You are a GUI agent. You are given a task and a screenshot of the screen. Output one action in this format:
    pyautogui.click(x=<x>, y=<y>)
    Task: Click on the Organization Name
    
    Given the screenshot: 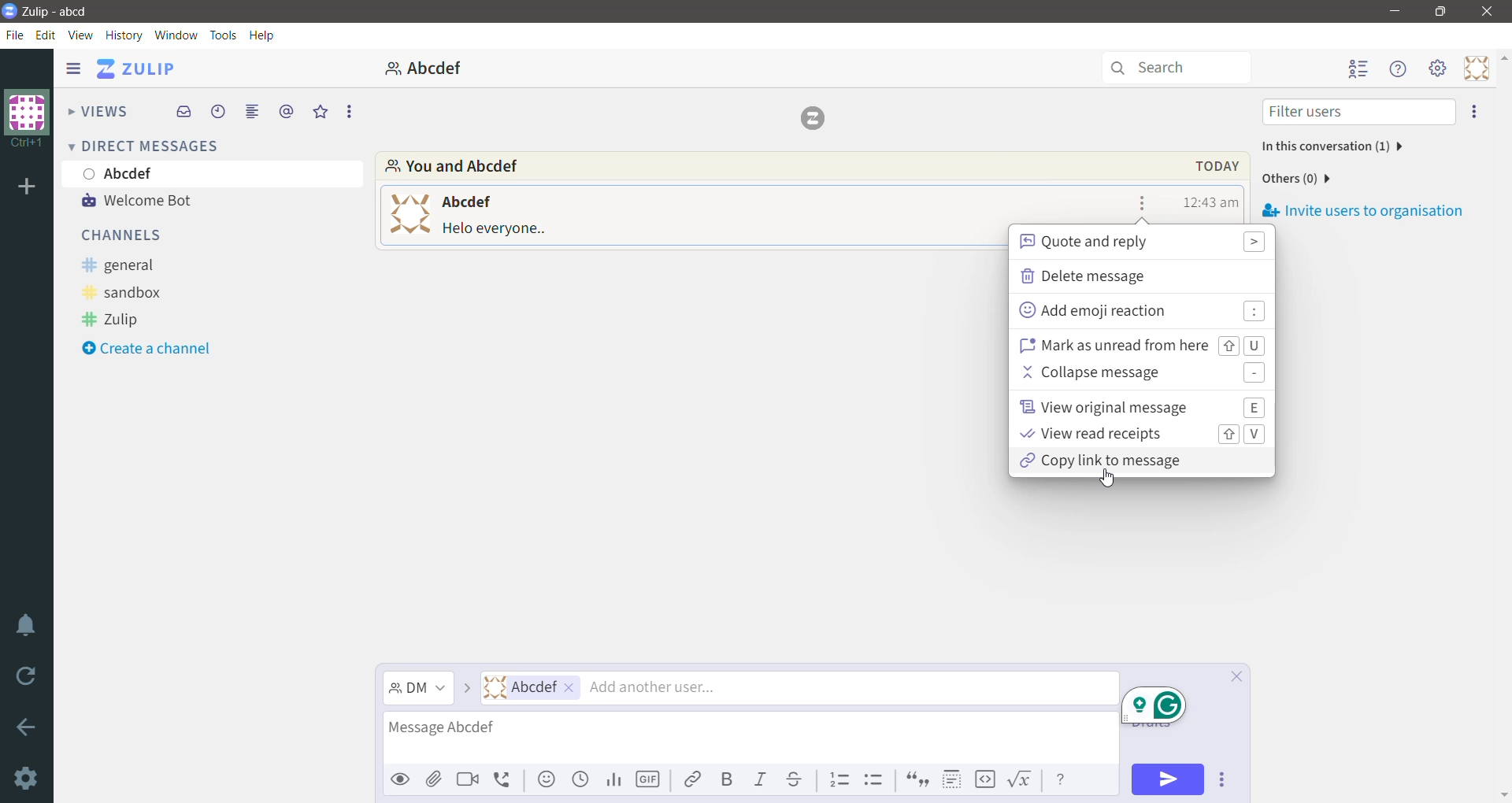 What is the action you would take?
    pyautogui.click(x=28, y=120)
    